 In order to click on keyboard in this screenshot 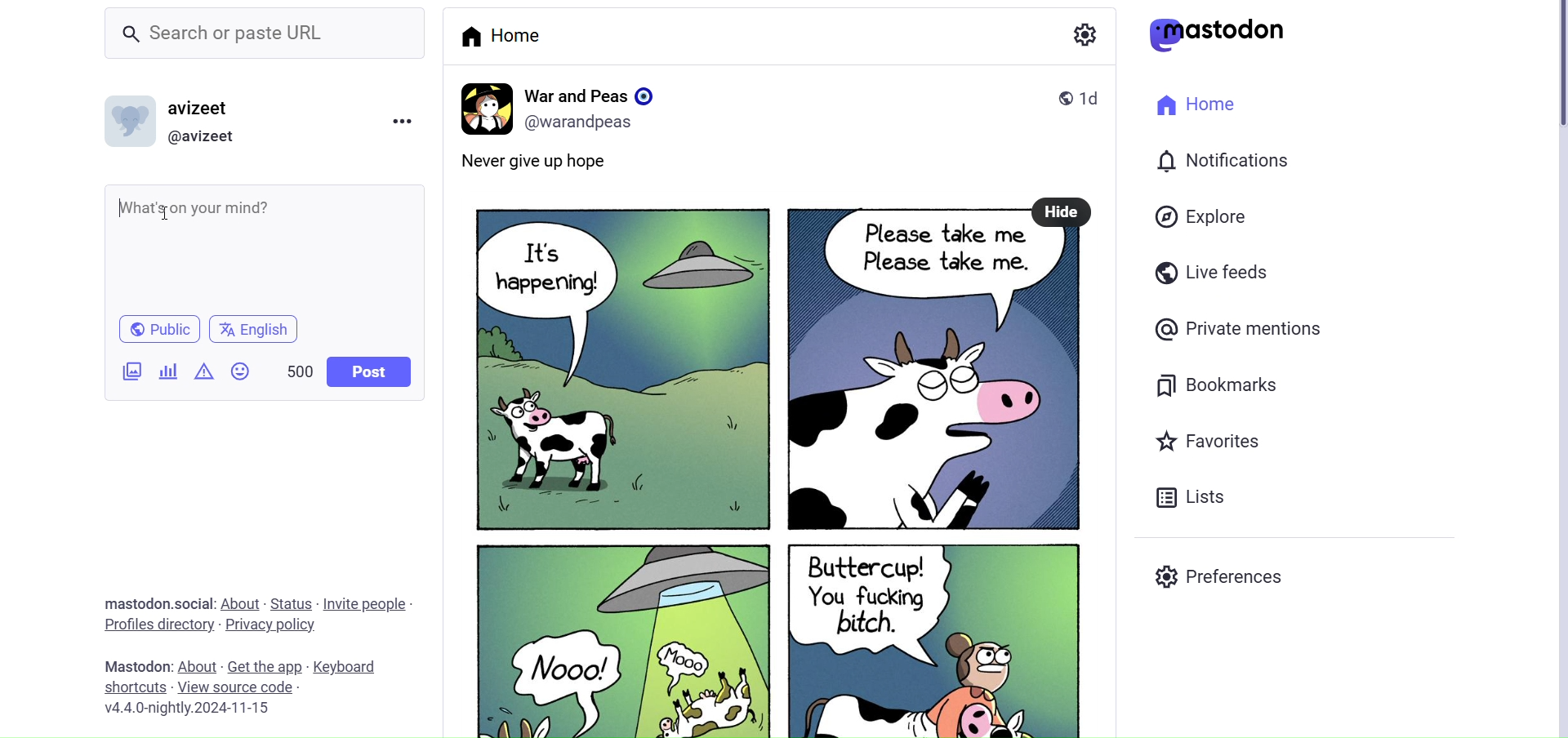, I will do `click(351, 667)`.